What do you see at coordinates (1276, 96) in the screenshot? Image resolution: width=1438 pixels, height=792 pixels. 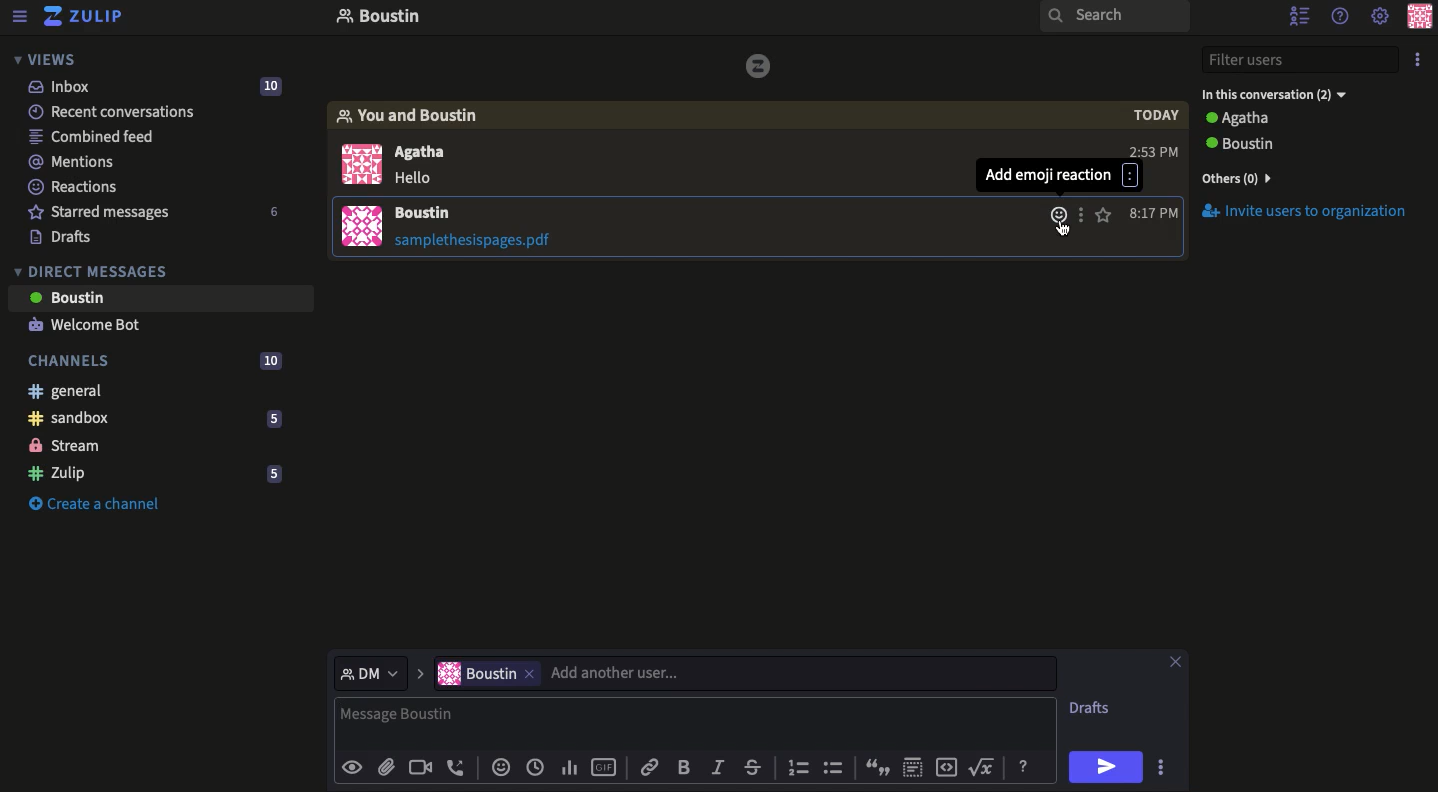 I see `In the conversation` at bounding box center [1276, 96].